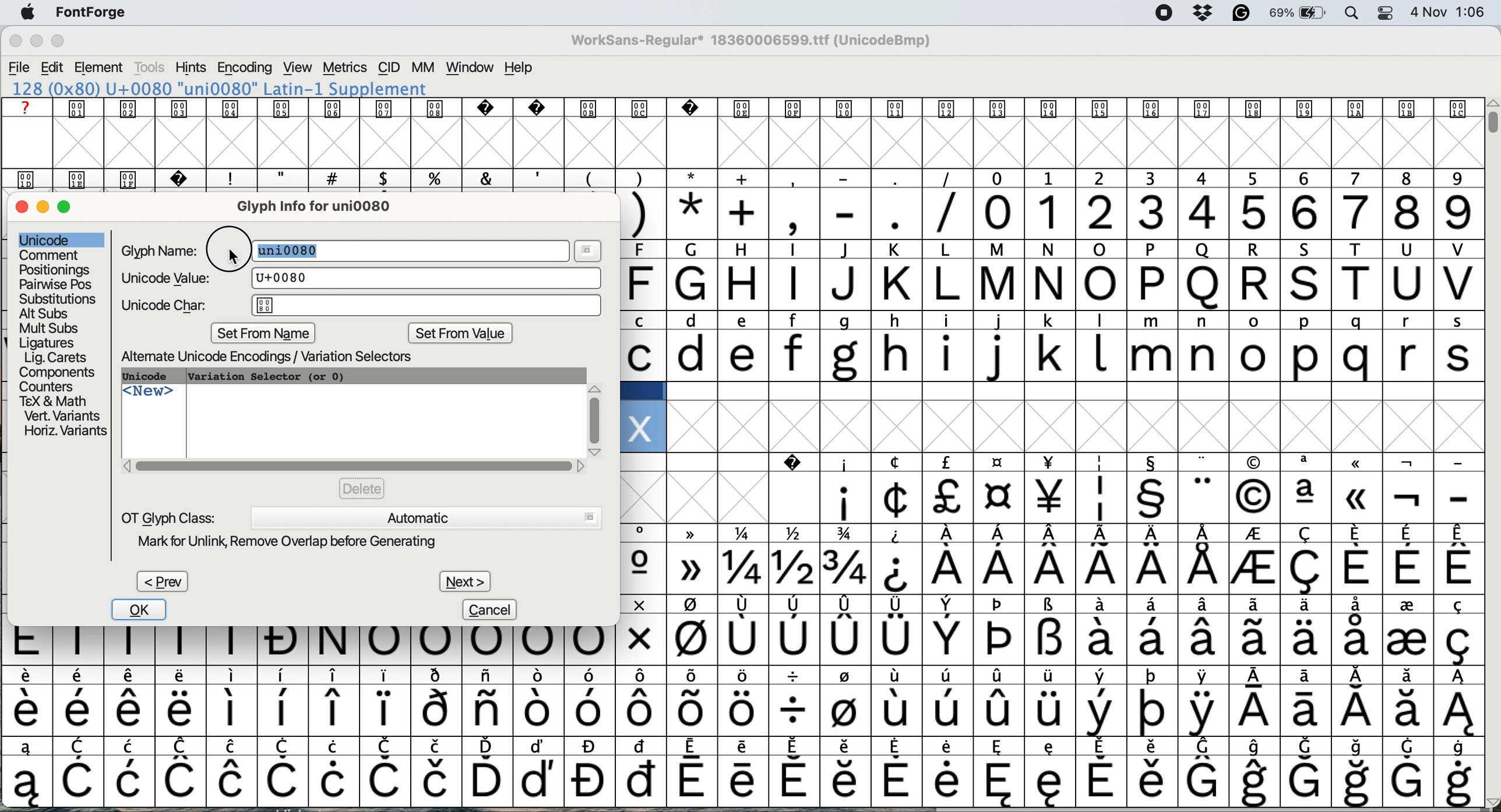 Image resolution: width=1501 pixels, height=812 pixels. I want to click on 120 (0x78) U+0078 "x" LATIN SMALL LETTER X, so click(220, 89).